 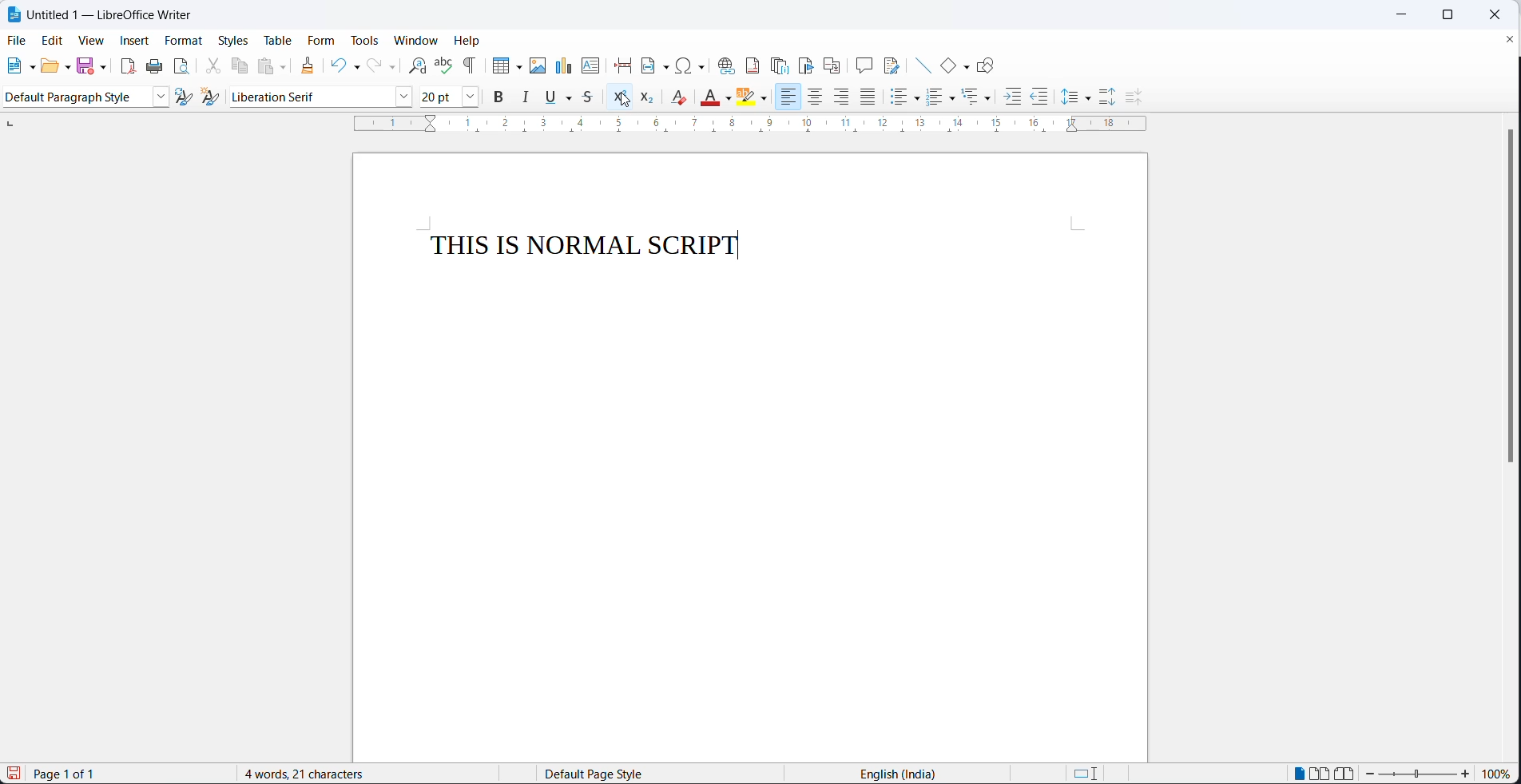 I want to click on zoom percentage, so click(x=1497, y=775).